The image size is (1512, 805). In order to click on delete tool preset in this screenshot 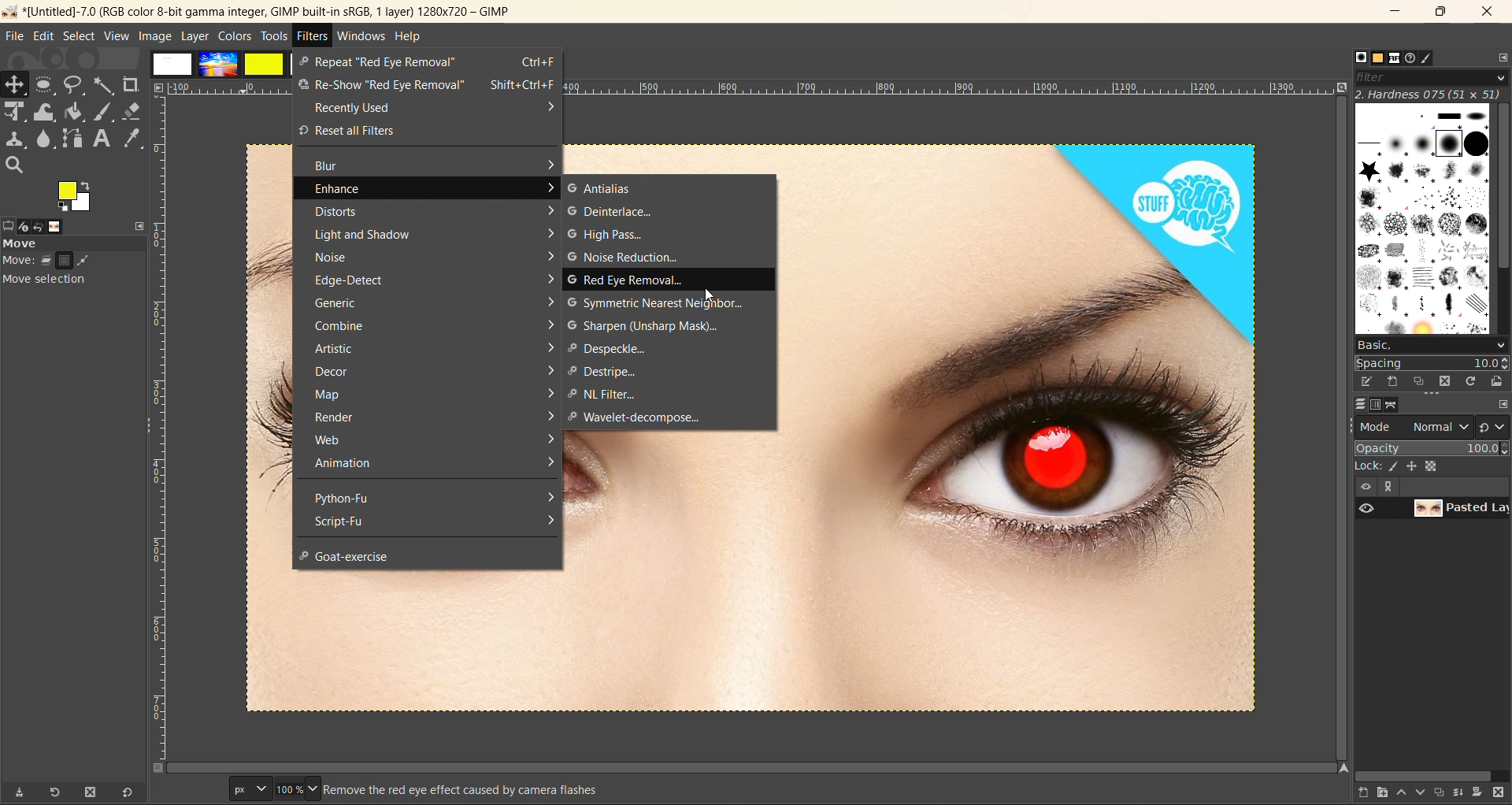, I will do `click(92, 793)`.